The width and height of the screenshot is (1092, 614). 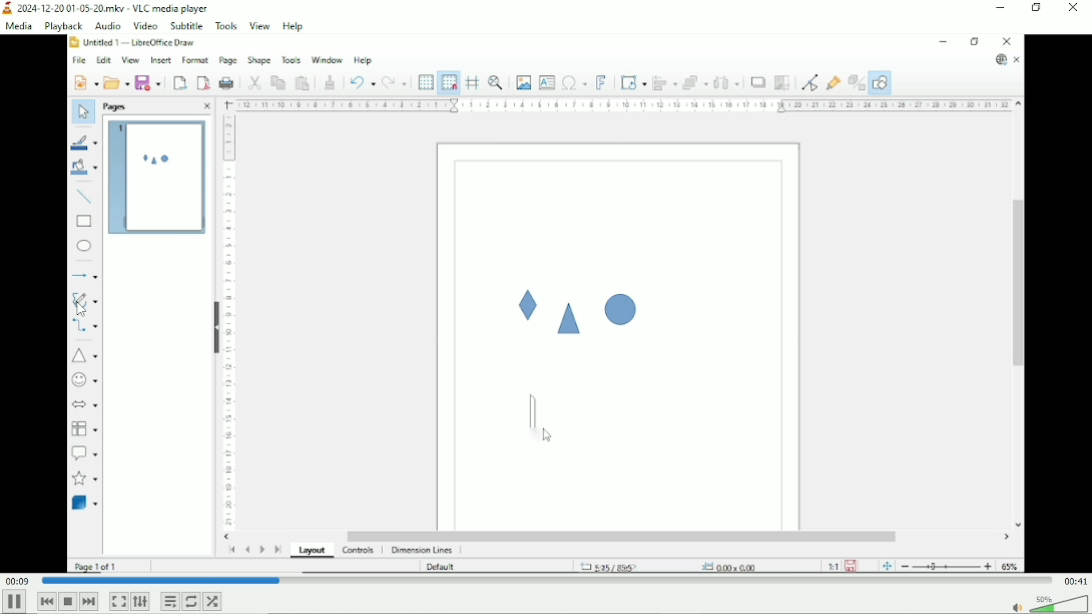 What do you see at coordinates (119, 601) in the screenshot?
I see `Toggle video in fullscreen` at bounding box center [119, 601].